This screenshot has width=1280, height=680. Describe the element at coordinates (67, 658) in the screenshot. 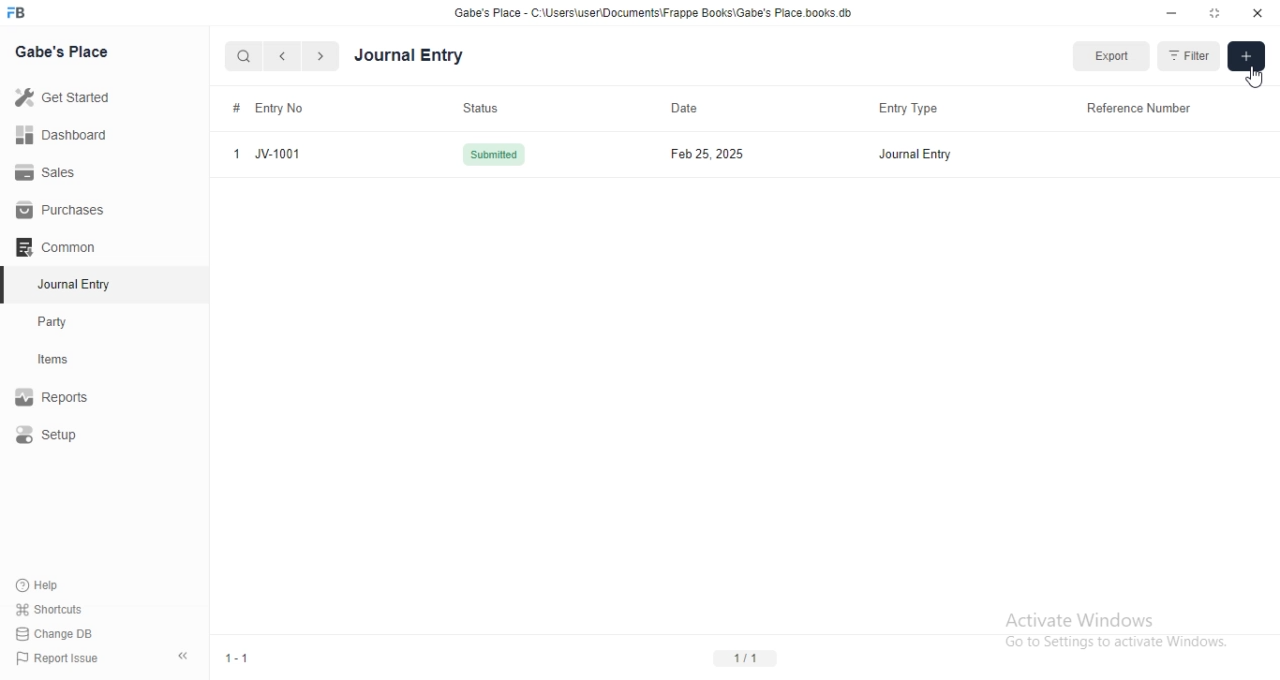

I see `Report Issue` at that location.